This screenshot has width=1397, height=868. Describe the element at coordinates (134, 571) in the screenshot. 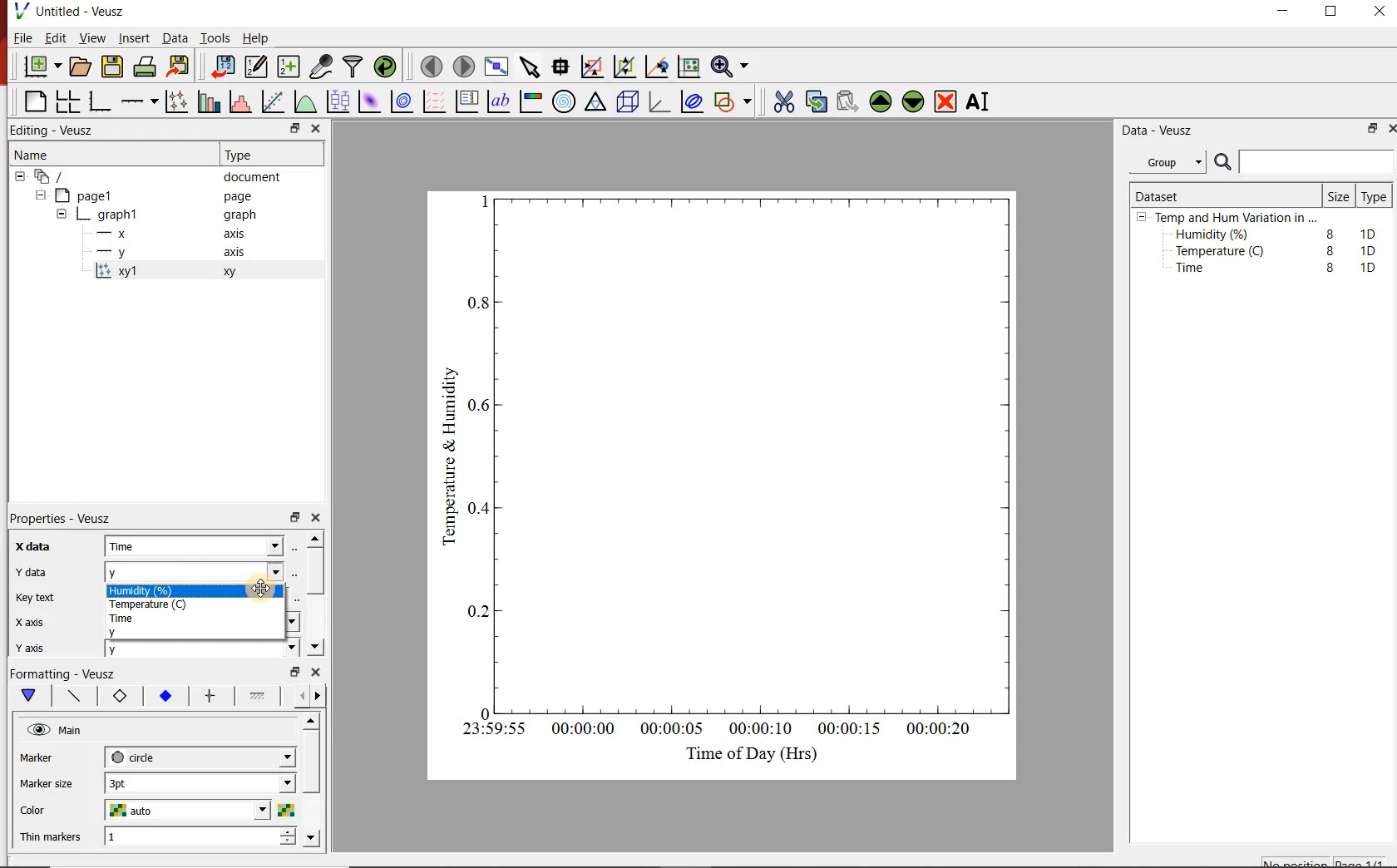

I see `y` at that location.